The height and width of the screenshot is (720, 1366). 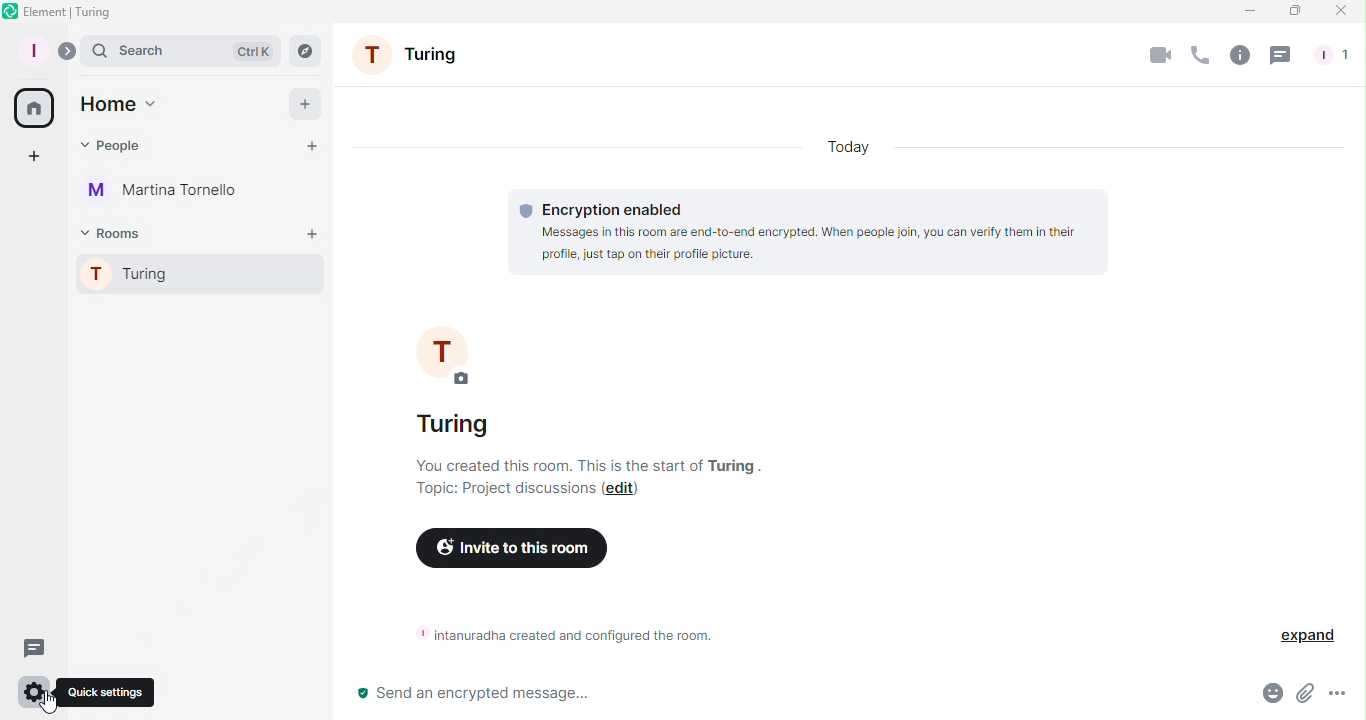 I want to click on Write message, so click(x=786, y=696).